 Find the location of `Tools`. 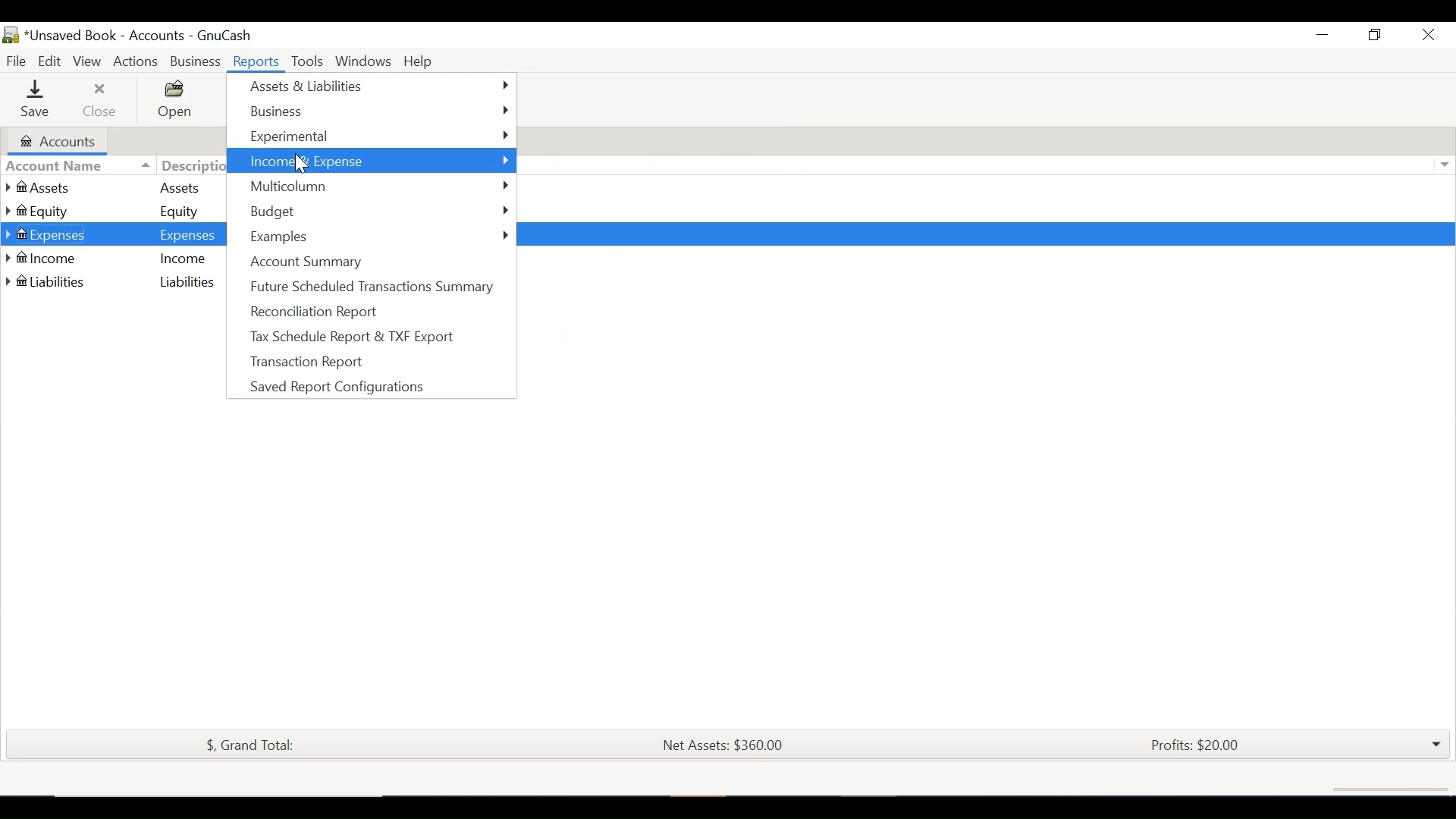

Tools is located at coordinates (303, 61).